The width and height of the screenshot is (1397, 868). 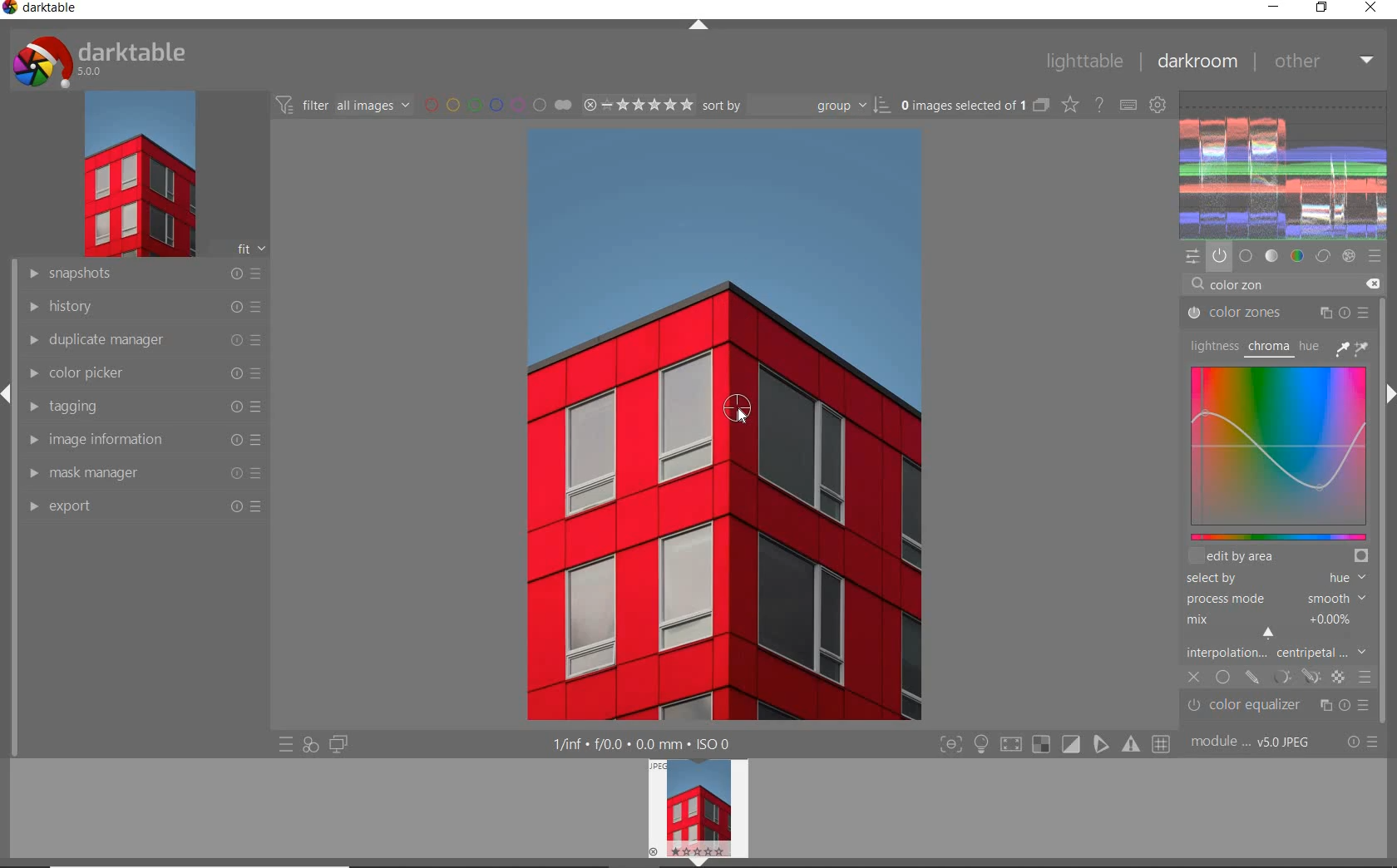 I want to click on mask manager, so click(x=142, y=472).